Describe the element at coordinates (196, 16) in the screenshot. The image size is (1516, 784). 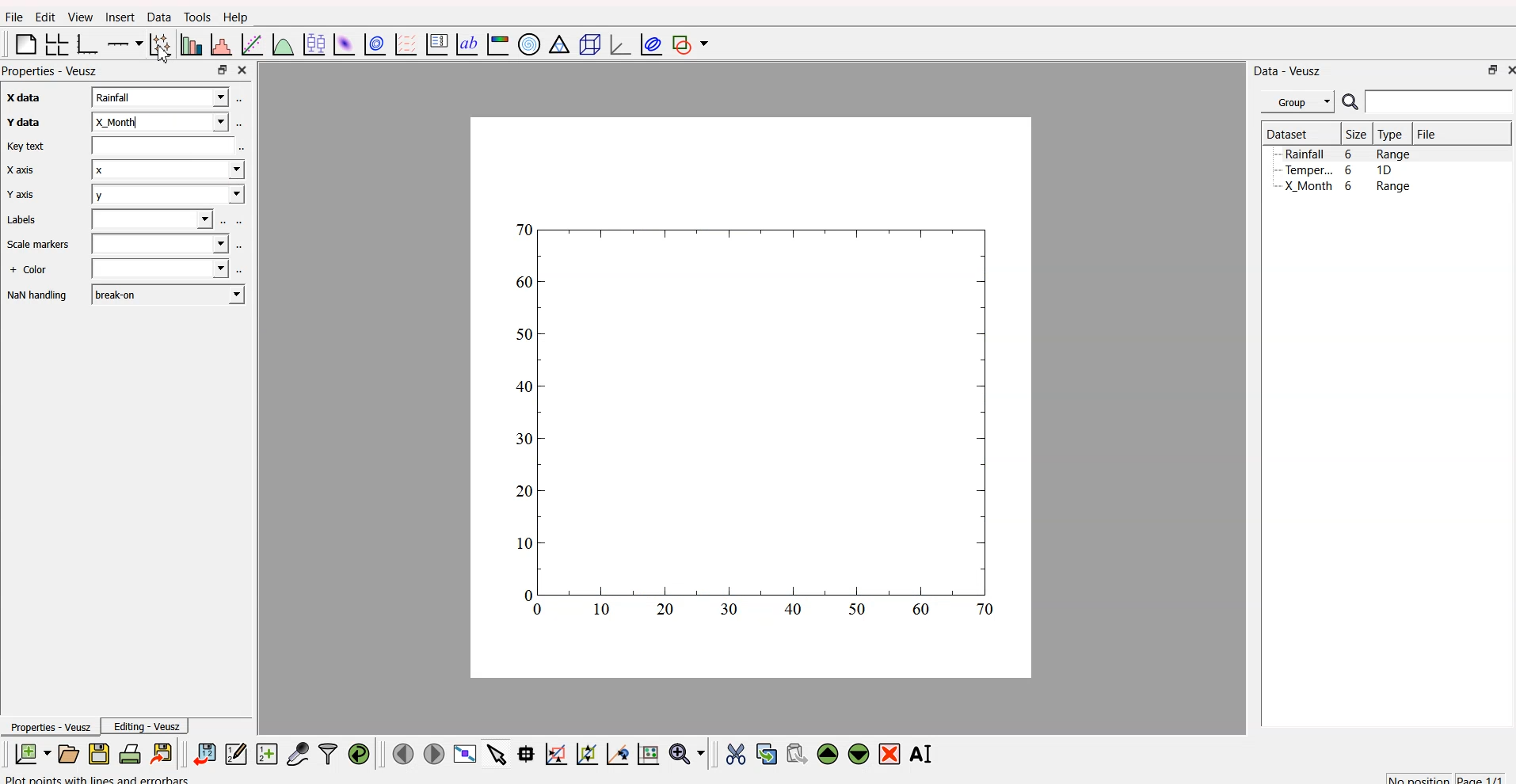
I see `Tools` at that location.